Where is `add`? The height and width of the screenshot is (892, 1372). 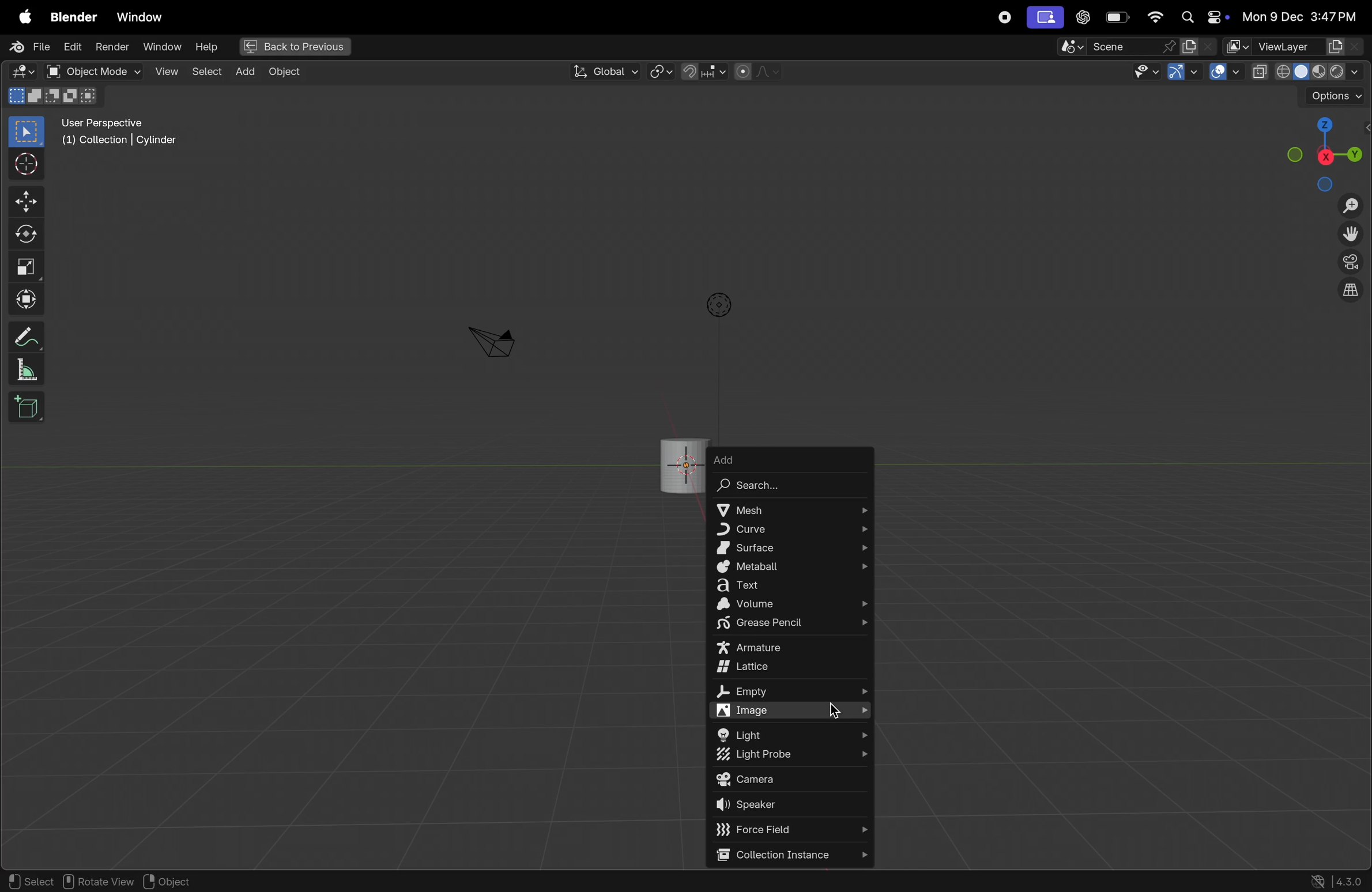
add is located at coordinates (244, 73).